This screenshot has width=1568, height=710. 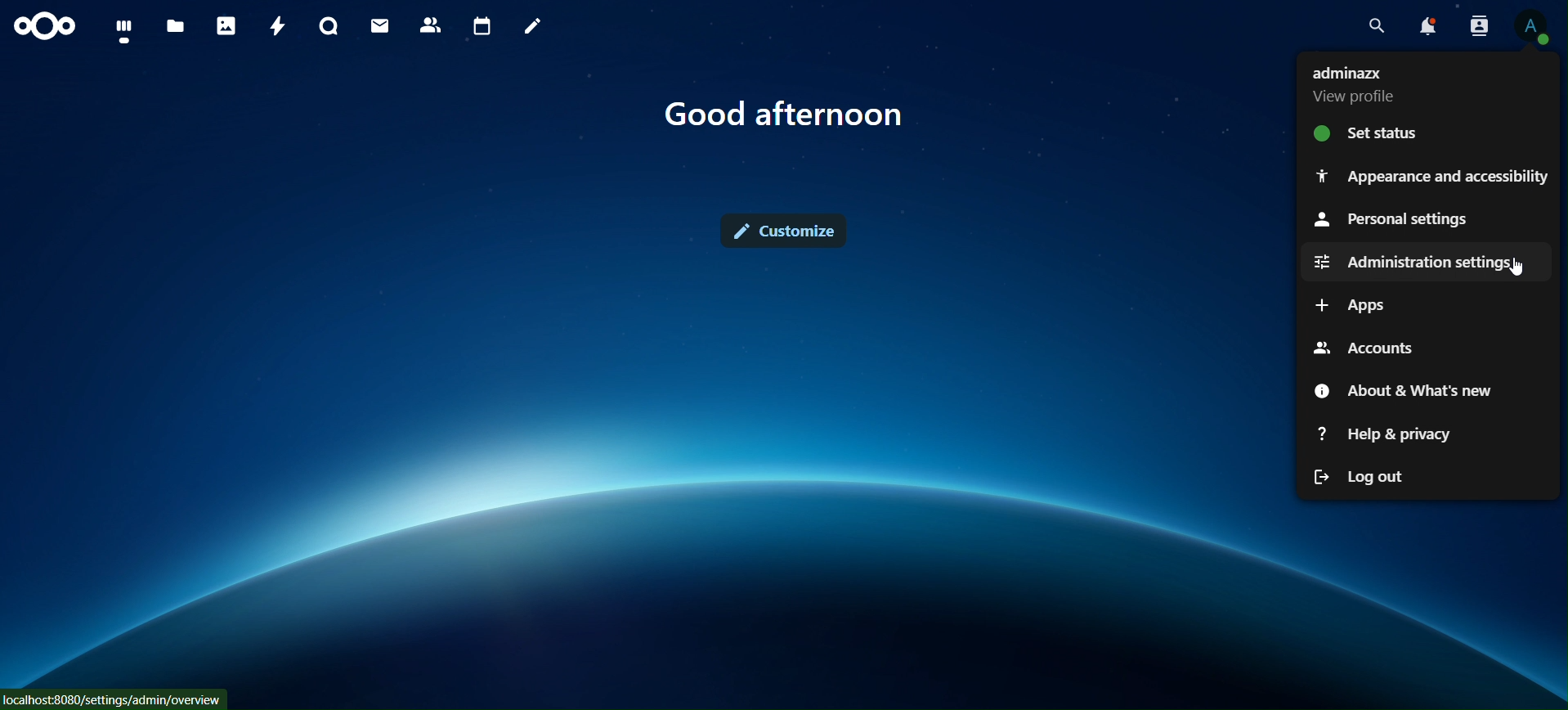 I want to click on appearance and accessibilty, so click(x=1433, y=179).